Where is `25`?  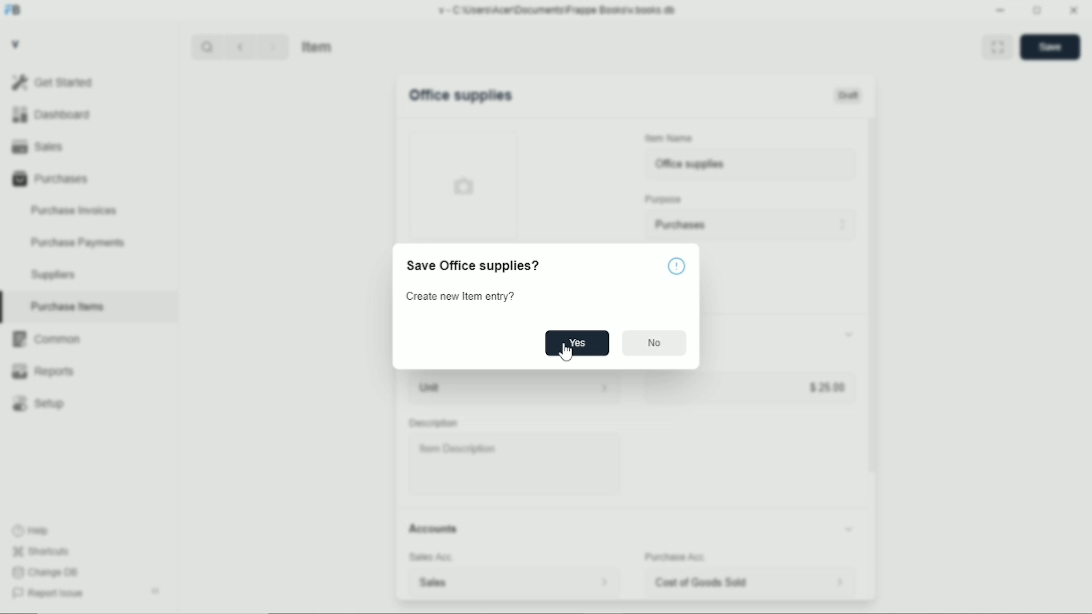 25 is located at coordinates (748, 387).